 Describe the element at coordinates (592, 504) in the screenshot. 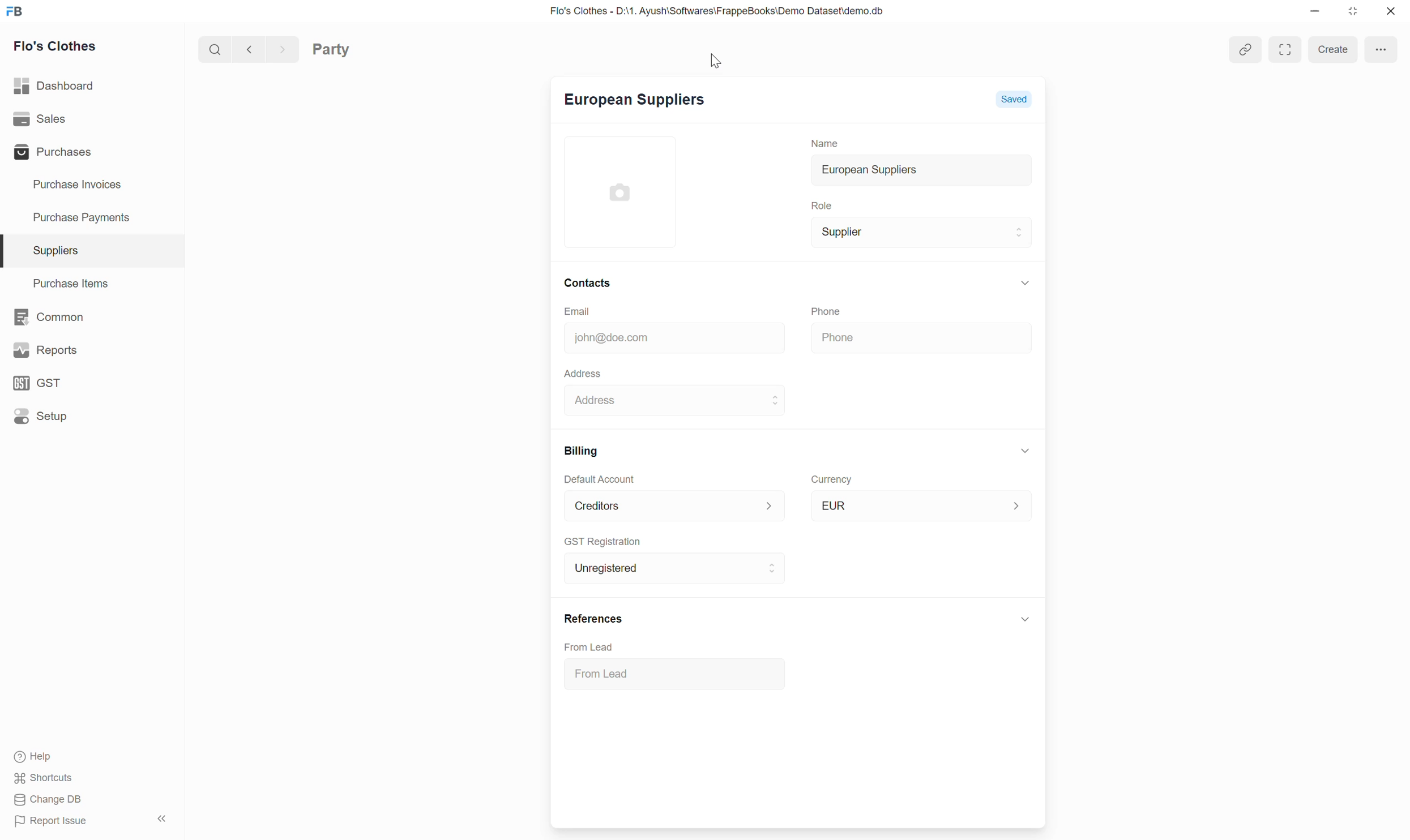

I see `Creditors` at that location.